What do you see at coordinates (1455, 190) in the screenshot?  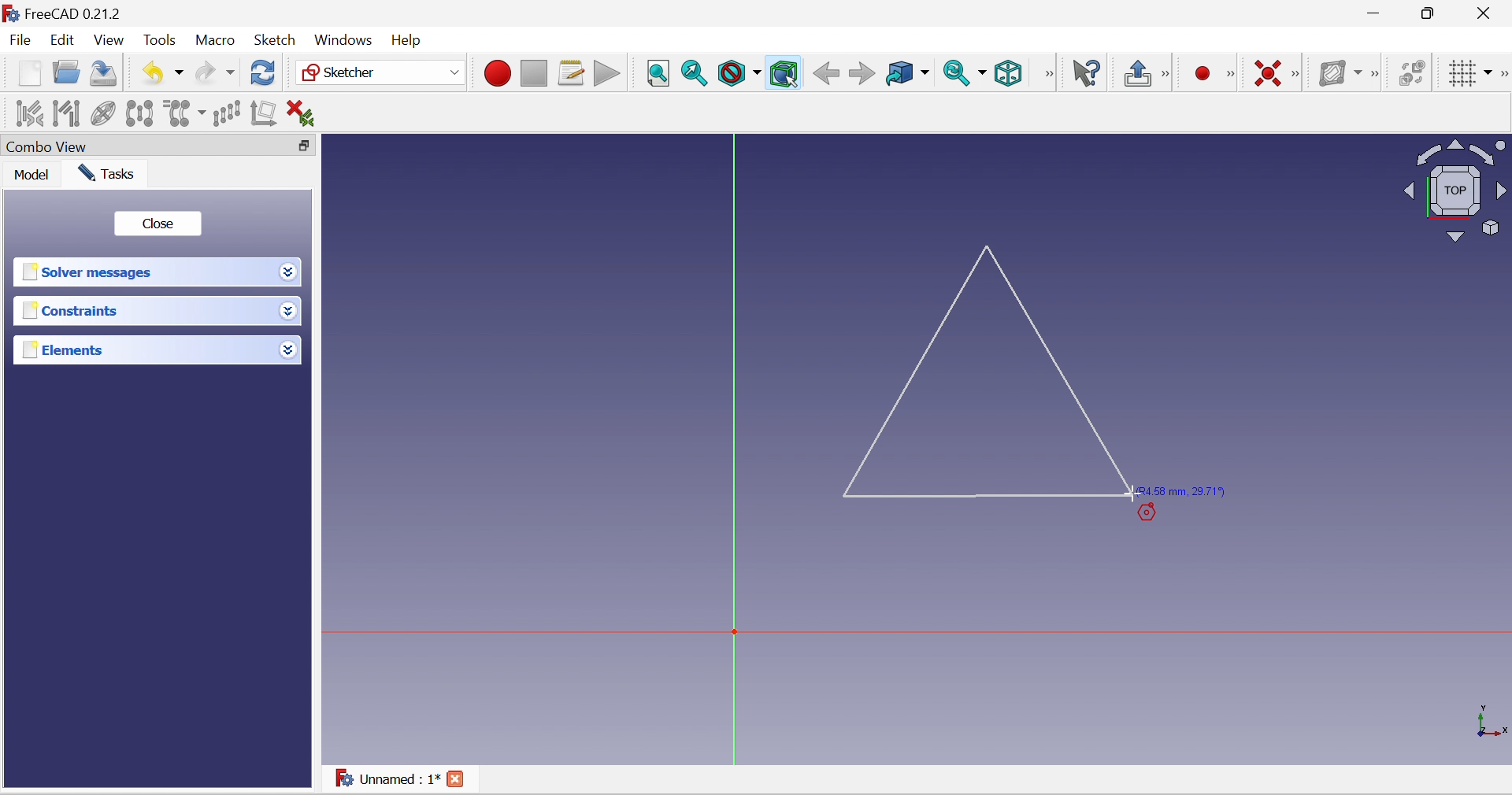 I see `Viewing angle` at bounding box center [1455, 190].